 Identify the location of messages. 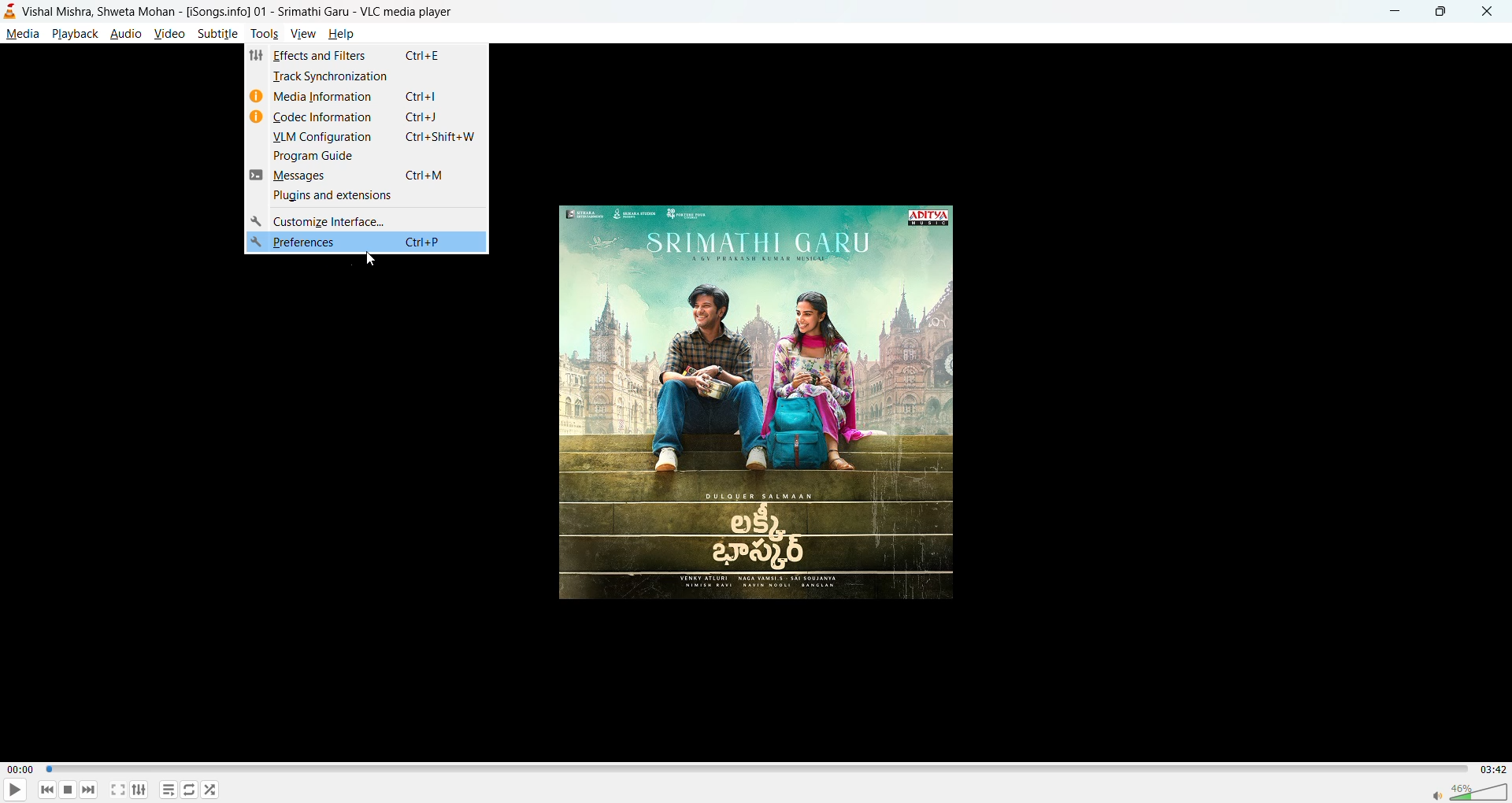
(308, 177).